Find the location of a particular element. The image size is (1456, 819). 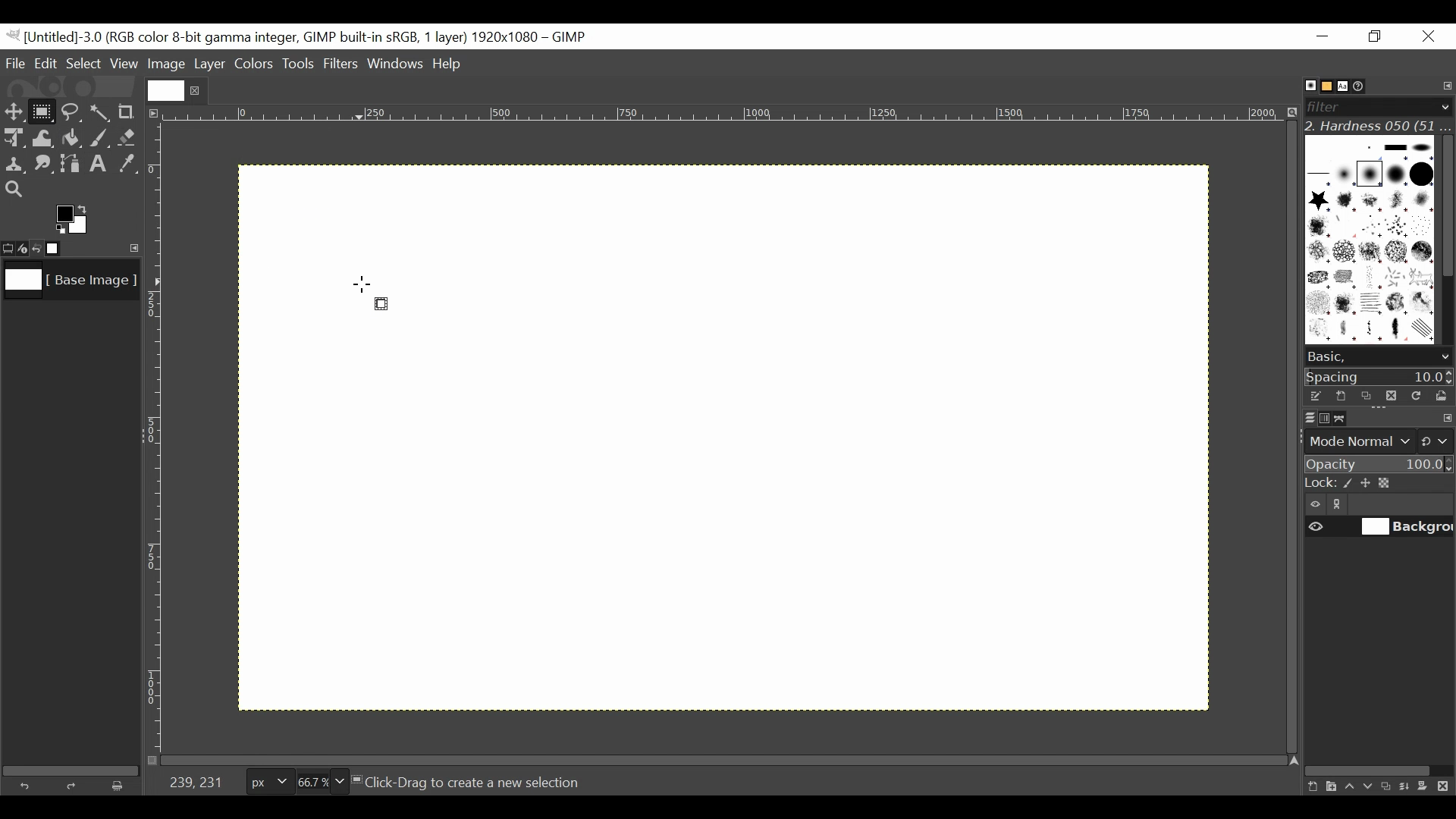

Filter bar is located at coordinates (1377, 105).